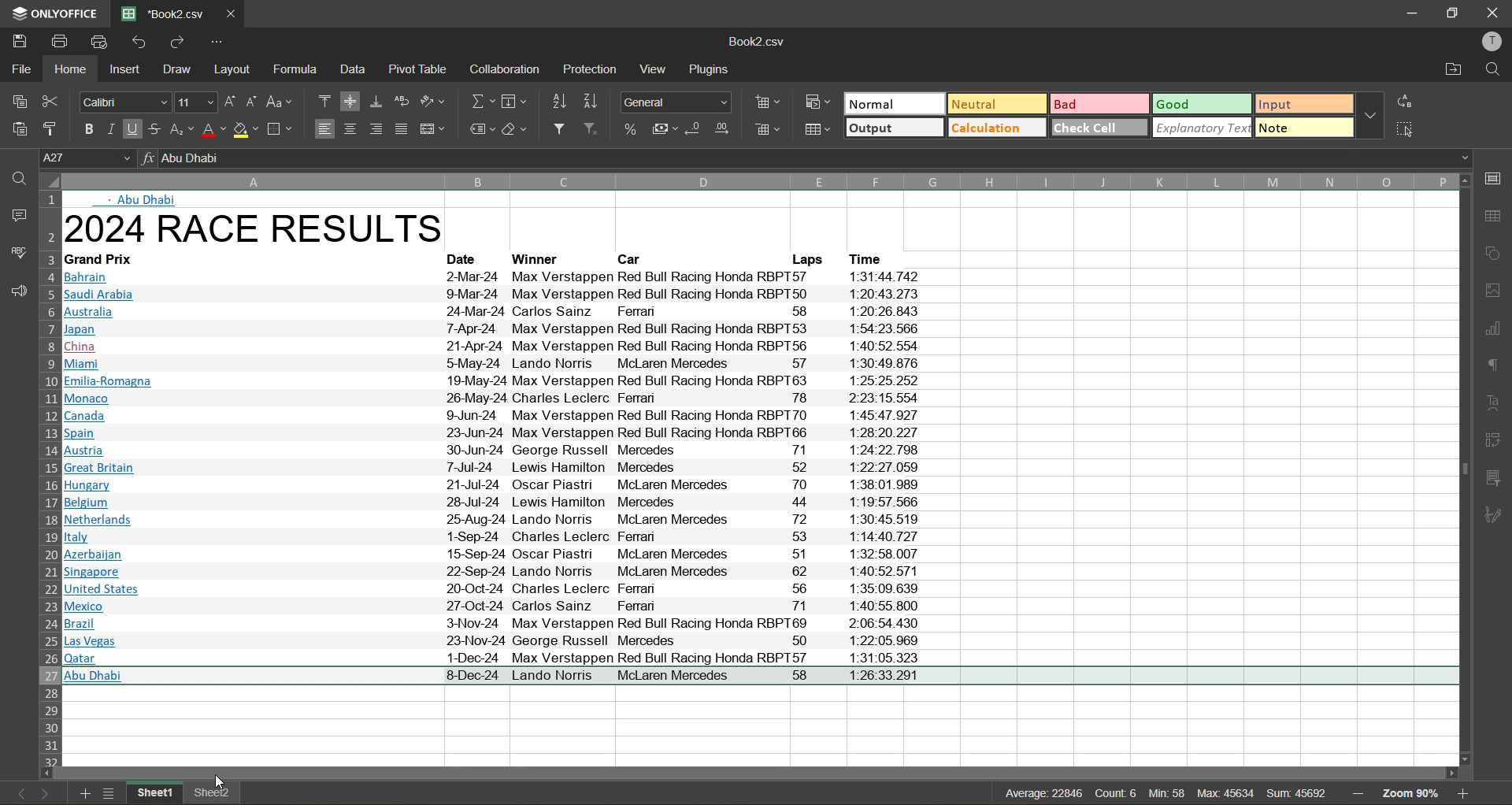 The height and width of the screenshot is (805, 1512). I want to click on text info, so click(491, 555).